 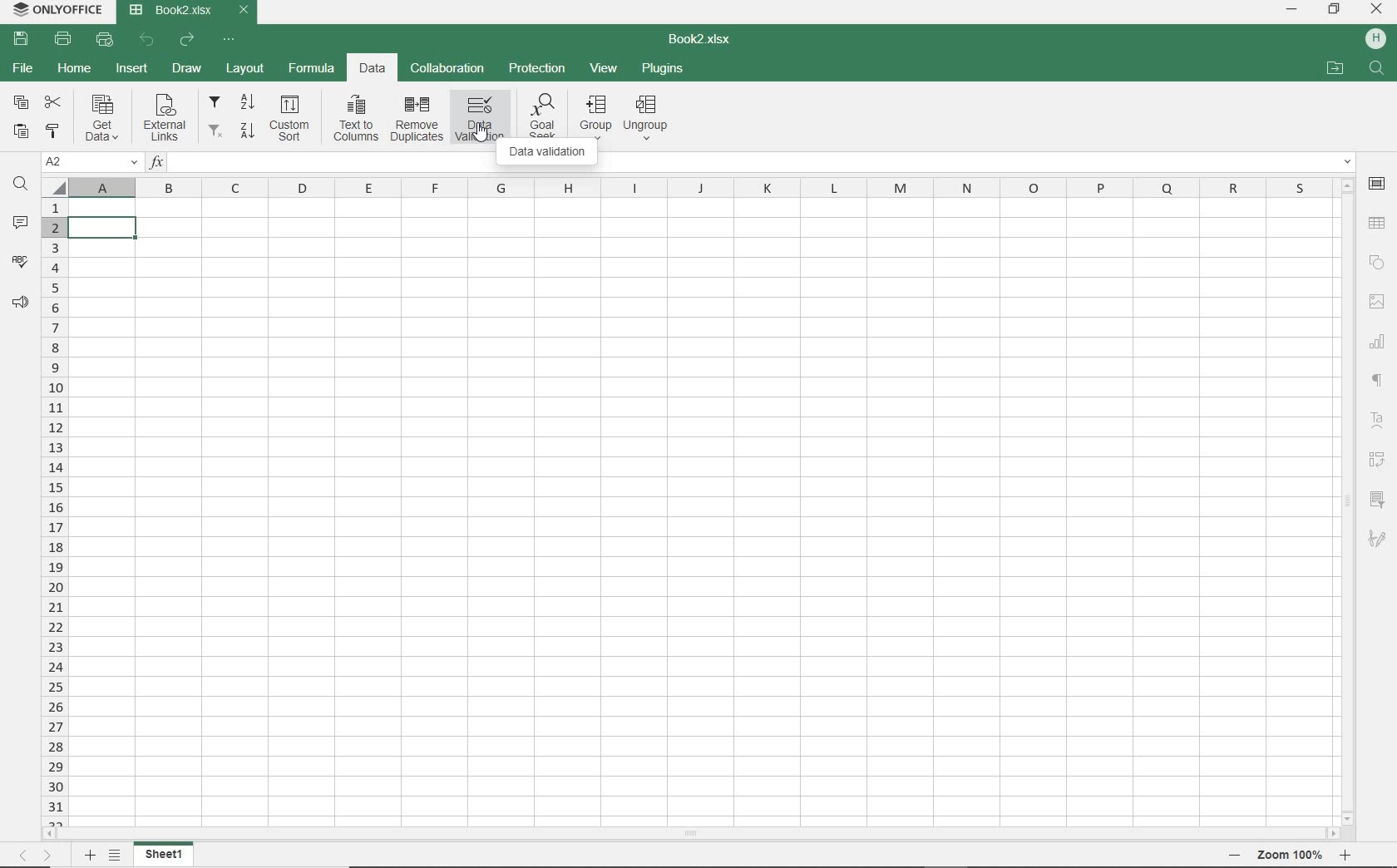 What do you see at coordinates (1291, 8) in the screenshot?
I see `MINIMIZE` at bounding box center [1291, 8].